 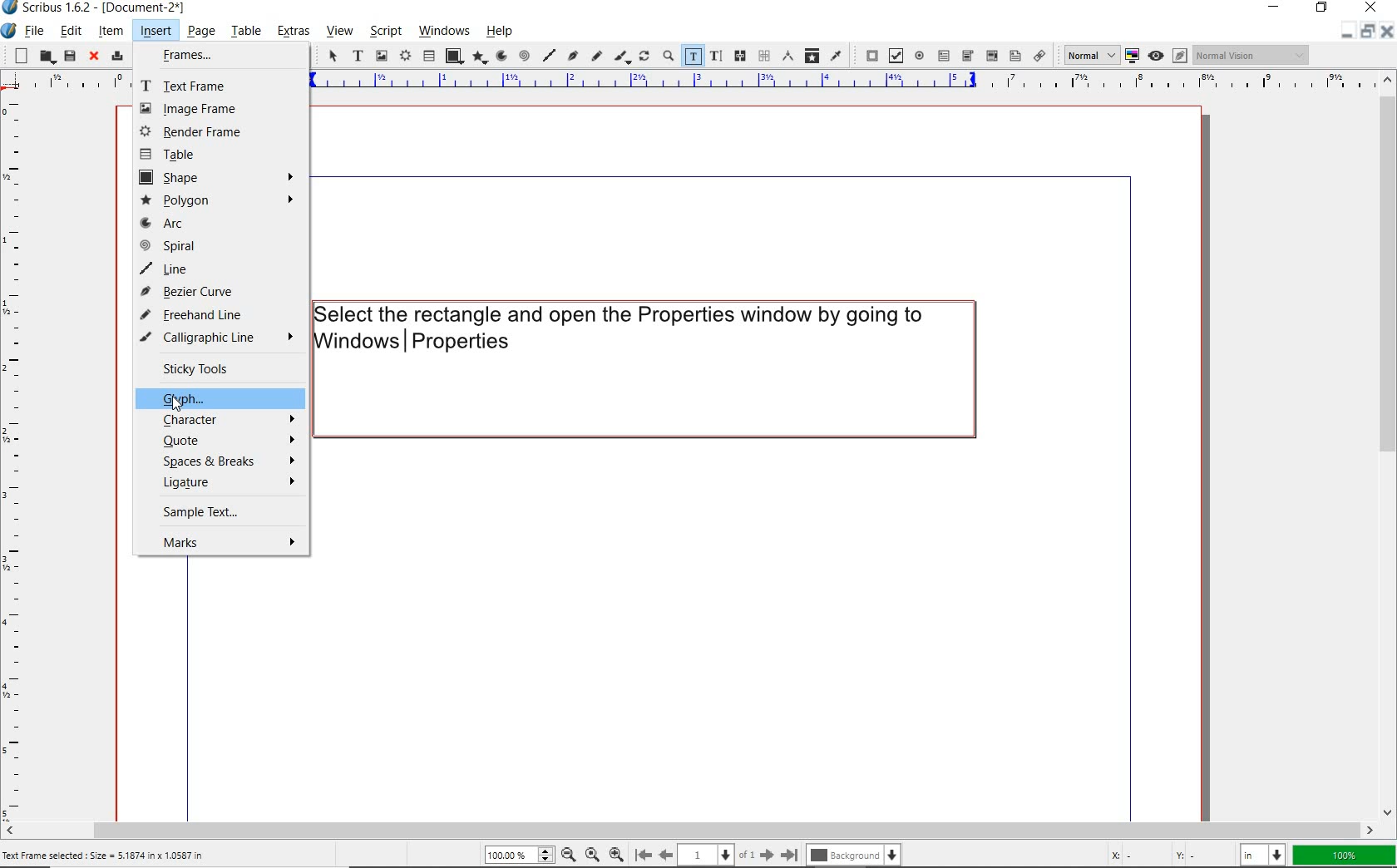 What do you see at coordinates (666, 57) in the screenshot?
I see `zoom in or zoom out` at bounding box center [666, 57].